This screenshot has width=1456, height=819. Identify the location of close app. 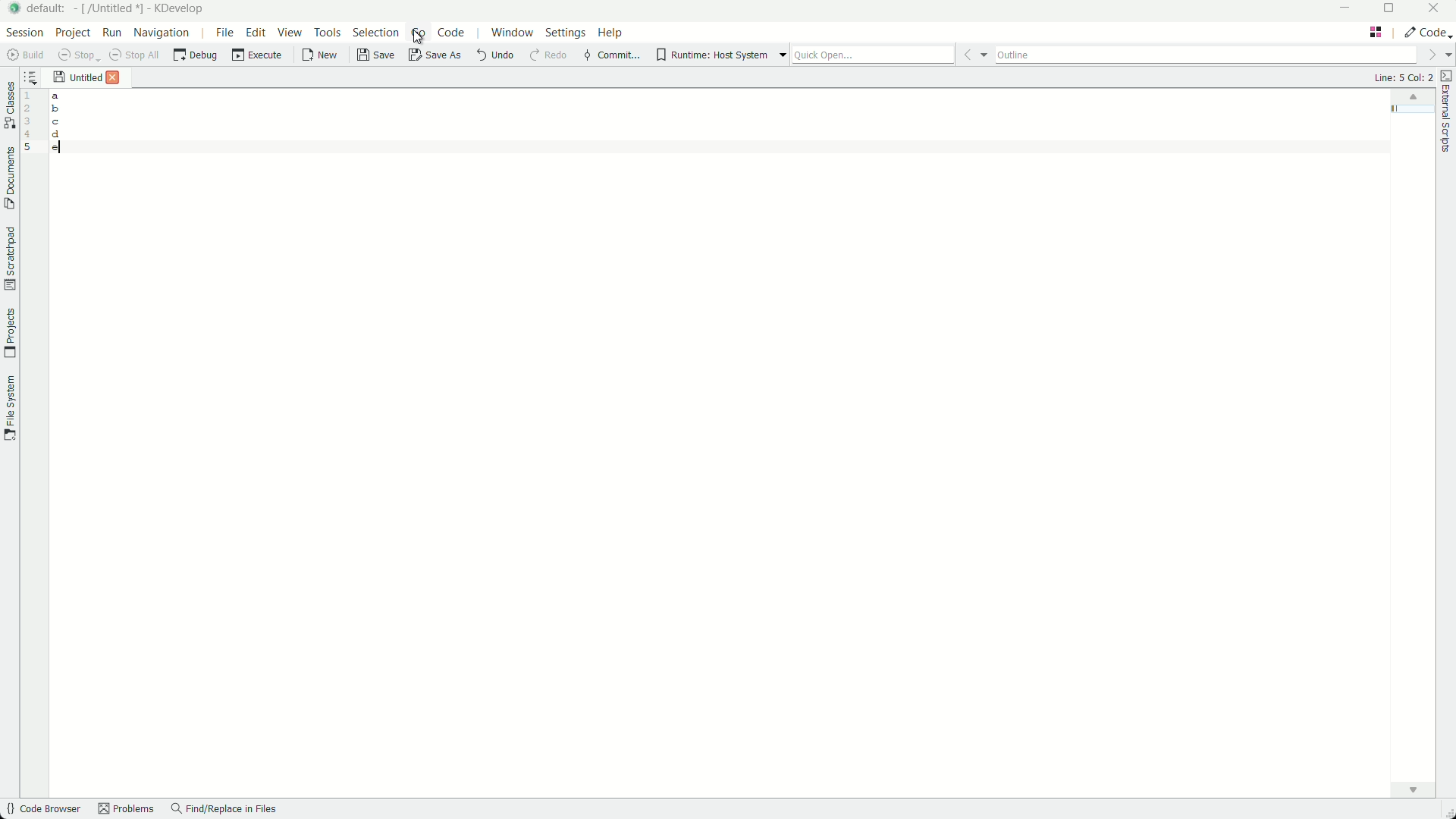
(1436, 11).